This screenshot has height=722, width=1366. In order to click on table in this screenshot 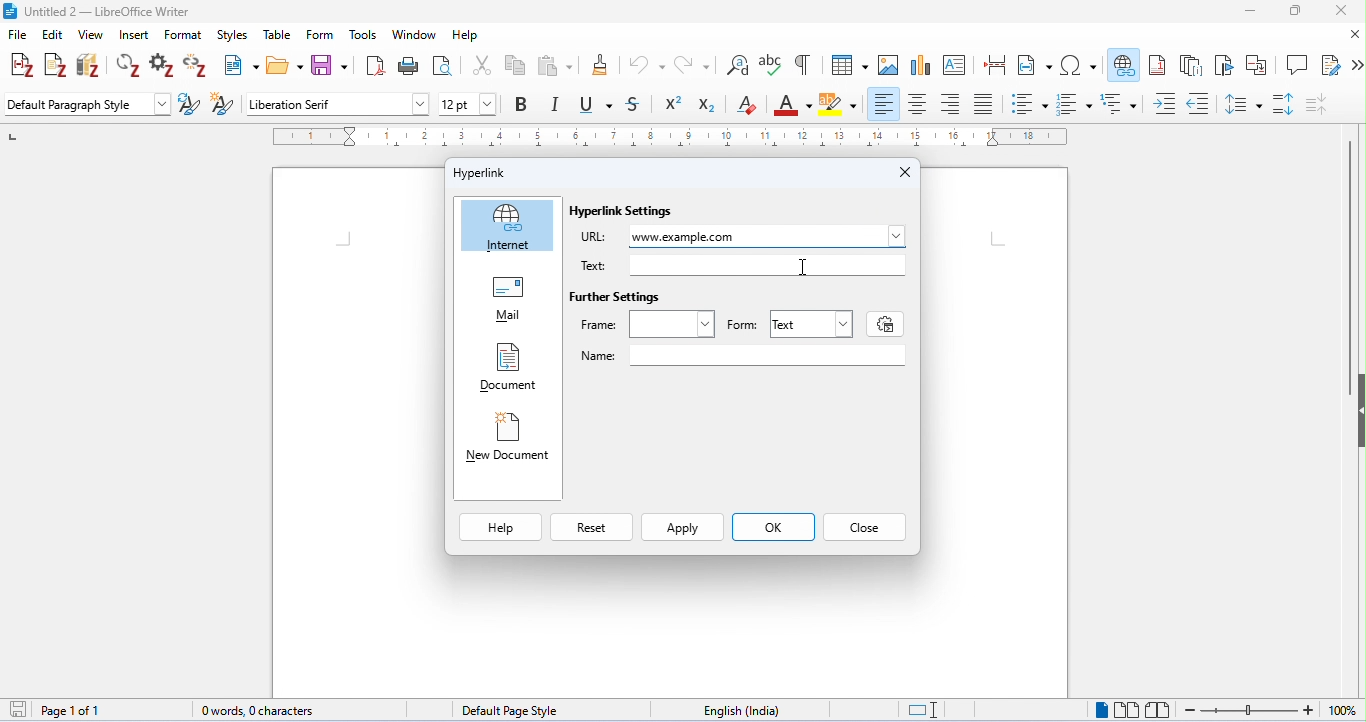, I will do `click(275, 33)`.